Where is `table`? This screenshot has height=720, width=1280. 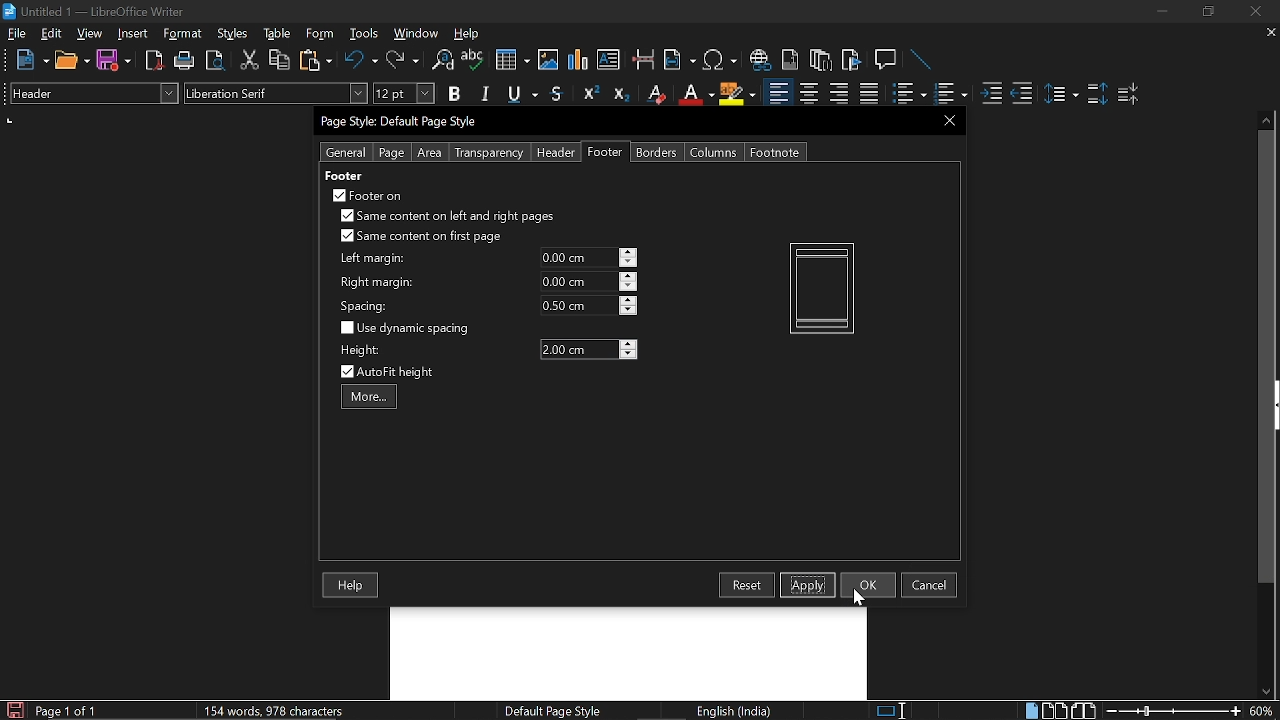
table is located at coordinates (278, 34).